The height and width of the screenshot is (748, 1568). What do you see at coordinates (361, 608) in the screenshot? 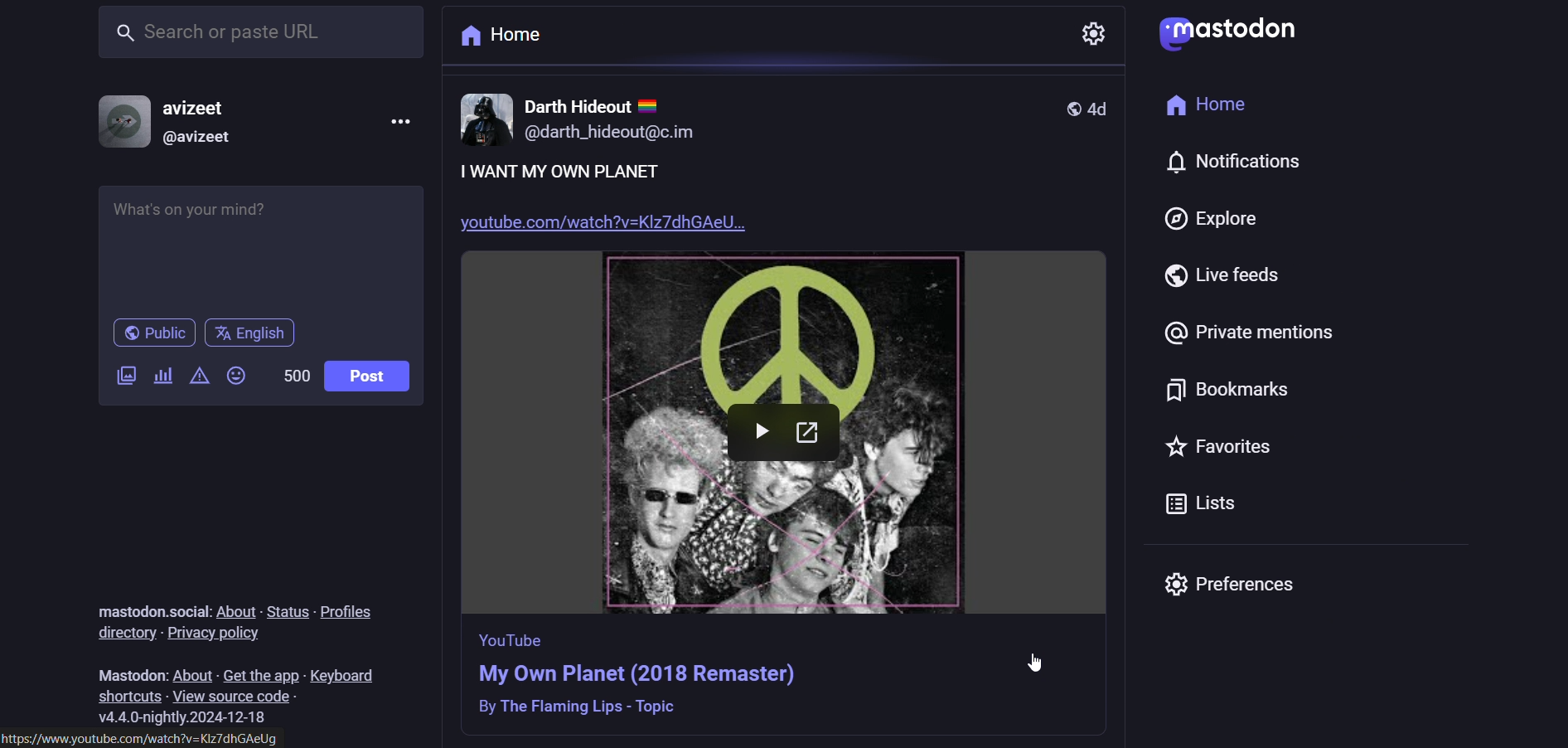
I see `profiles` at bounding box center [361, 608].